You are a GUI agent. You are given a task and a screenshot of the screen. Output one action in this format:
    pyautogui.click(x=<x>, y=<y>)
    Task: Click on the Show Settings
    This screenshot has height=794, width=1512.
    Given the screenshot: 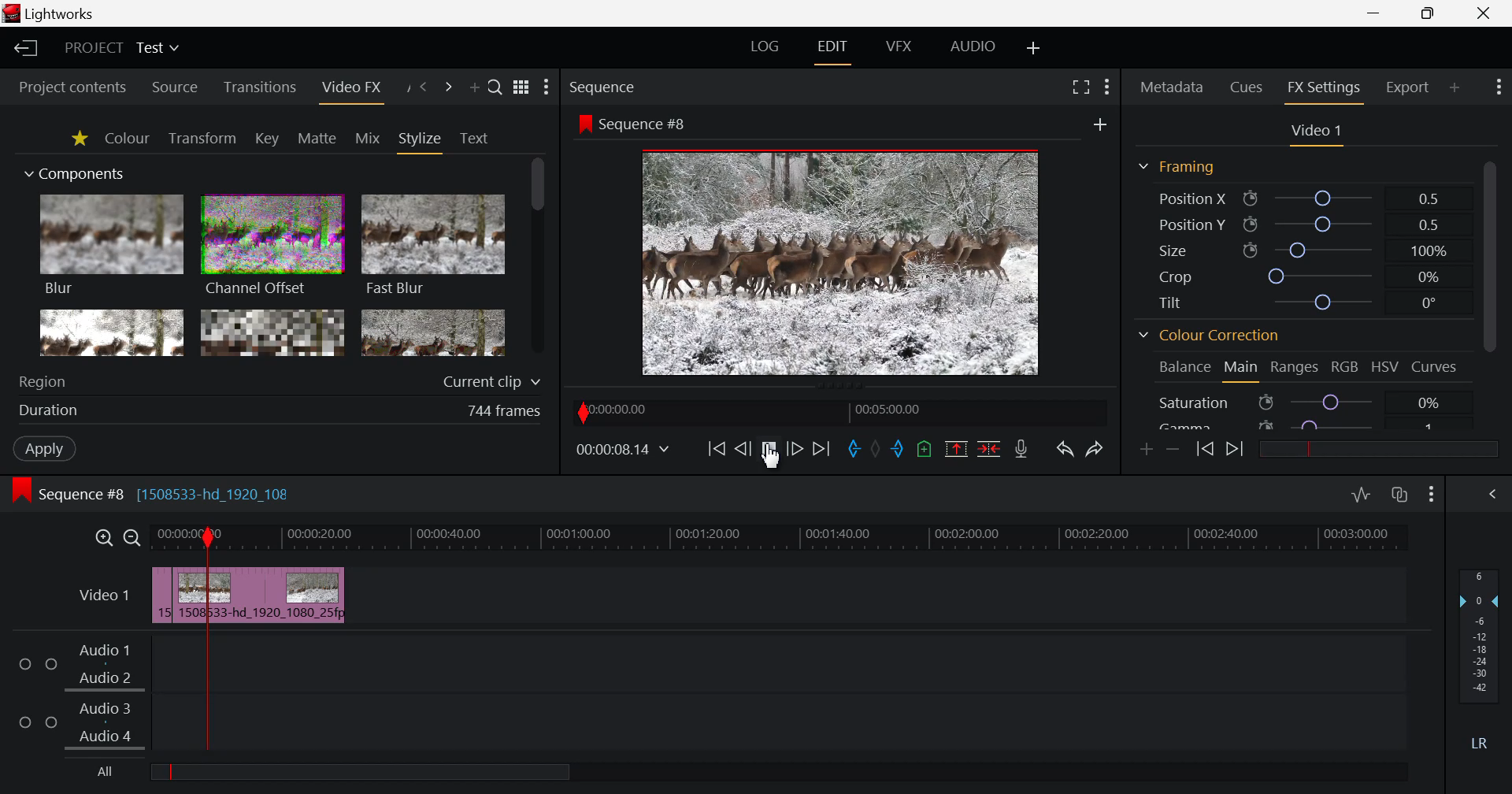 What is the action you would take?
    pyautogui.click(x=547, y=87)
    